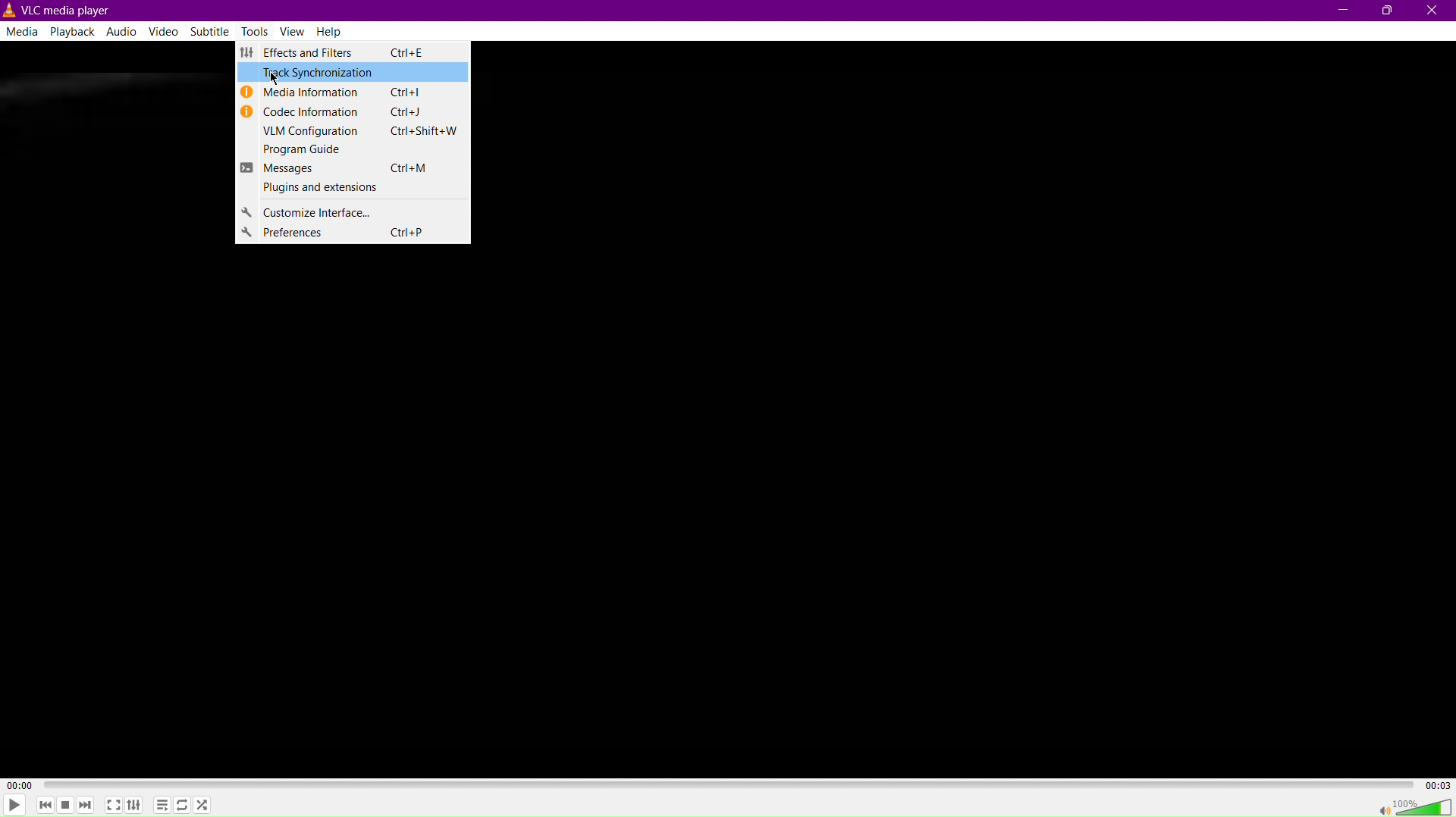 The image size is (1456, 817). What do you see at coordinates (347, 113) in the screenshot?
I see `Codec Information` at bounding box center [347, 113].